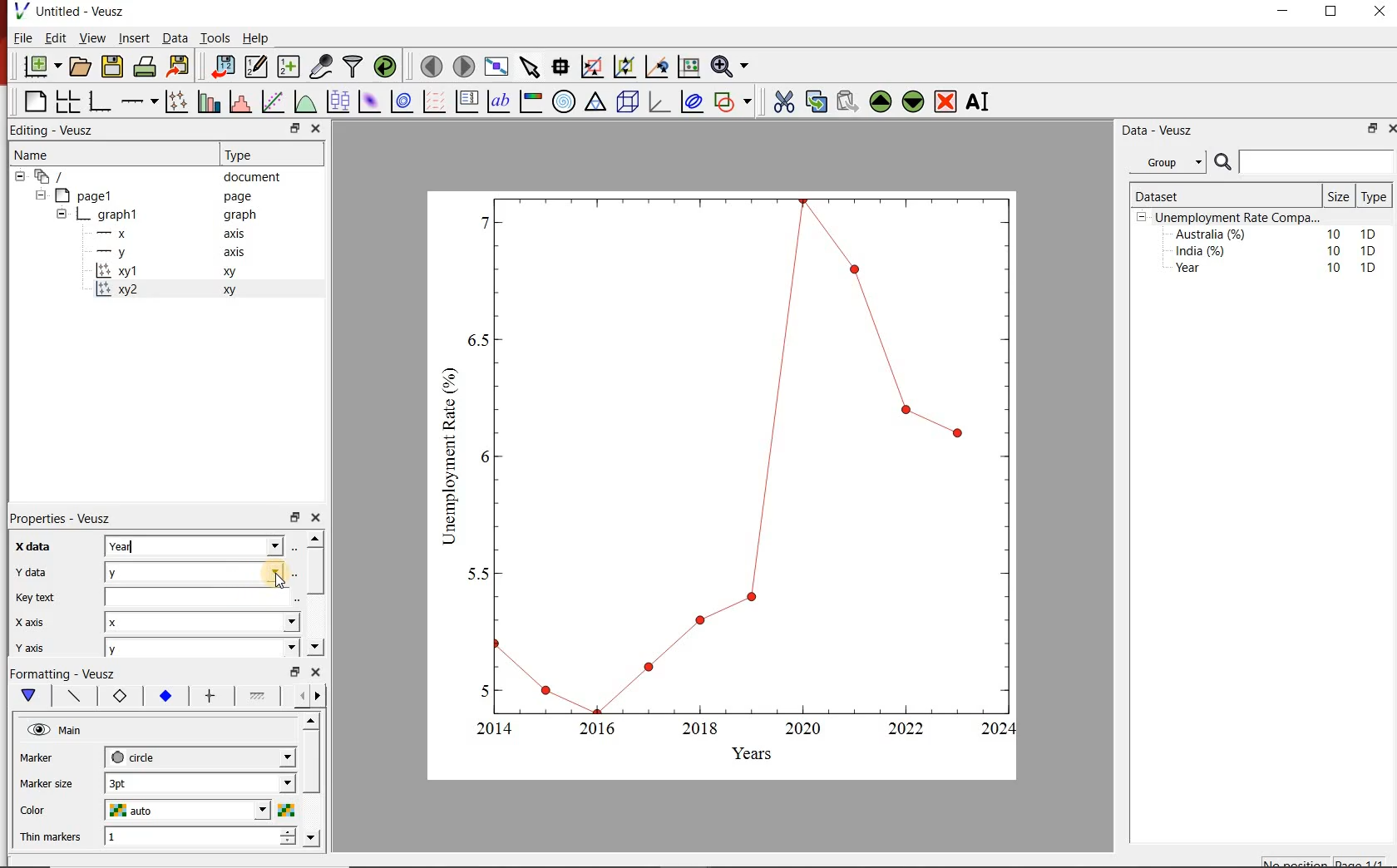 This screenshot has height=868, width=1397. Describe the element at coordinates (191, 289) in the screenshot. I see `xy 2 xy` at that location.